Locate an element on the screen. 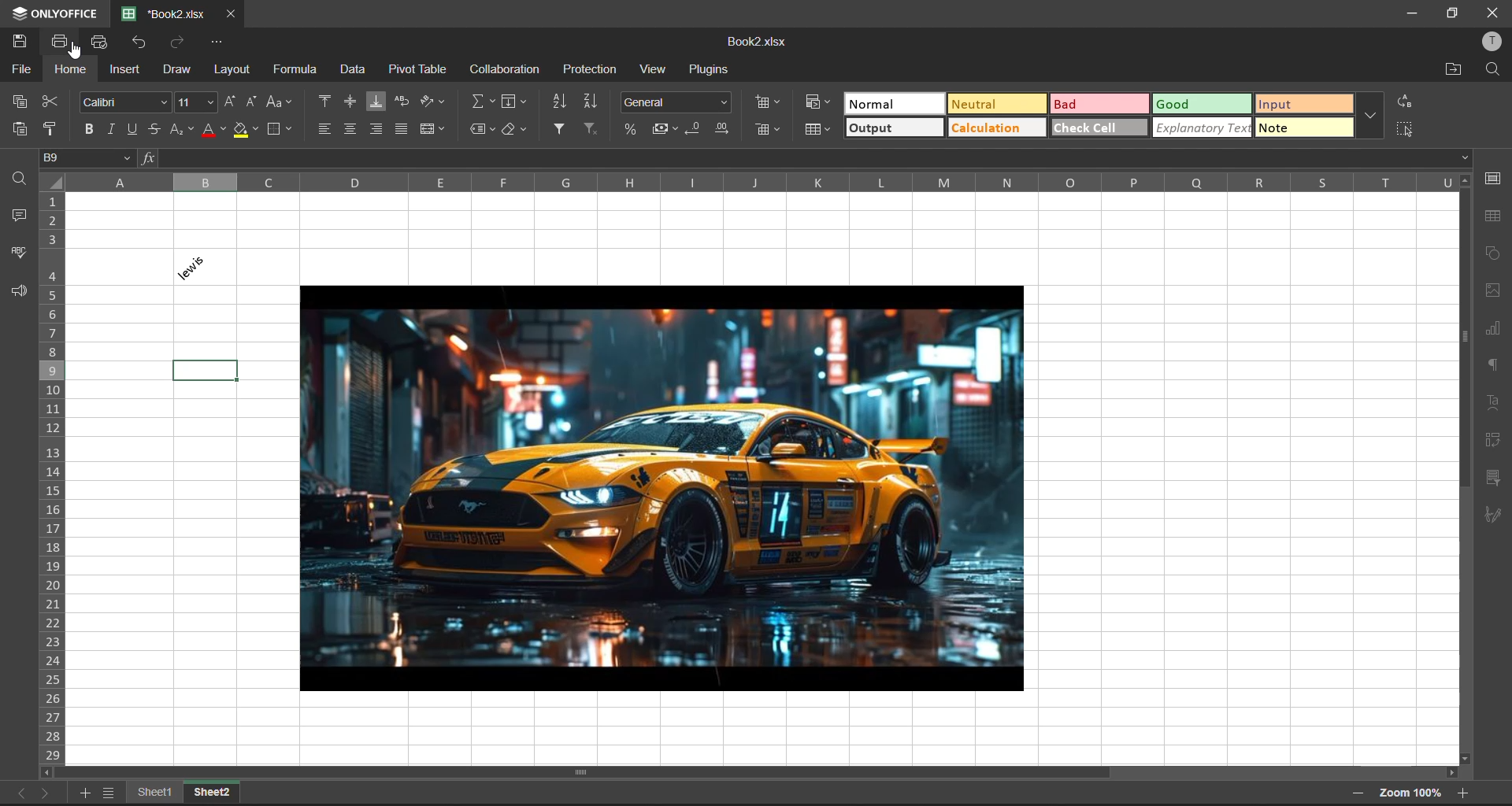 The height and width of the screenshot is (806, 1512). neutral is located at coordinates (991, 105).